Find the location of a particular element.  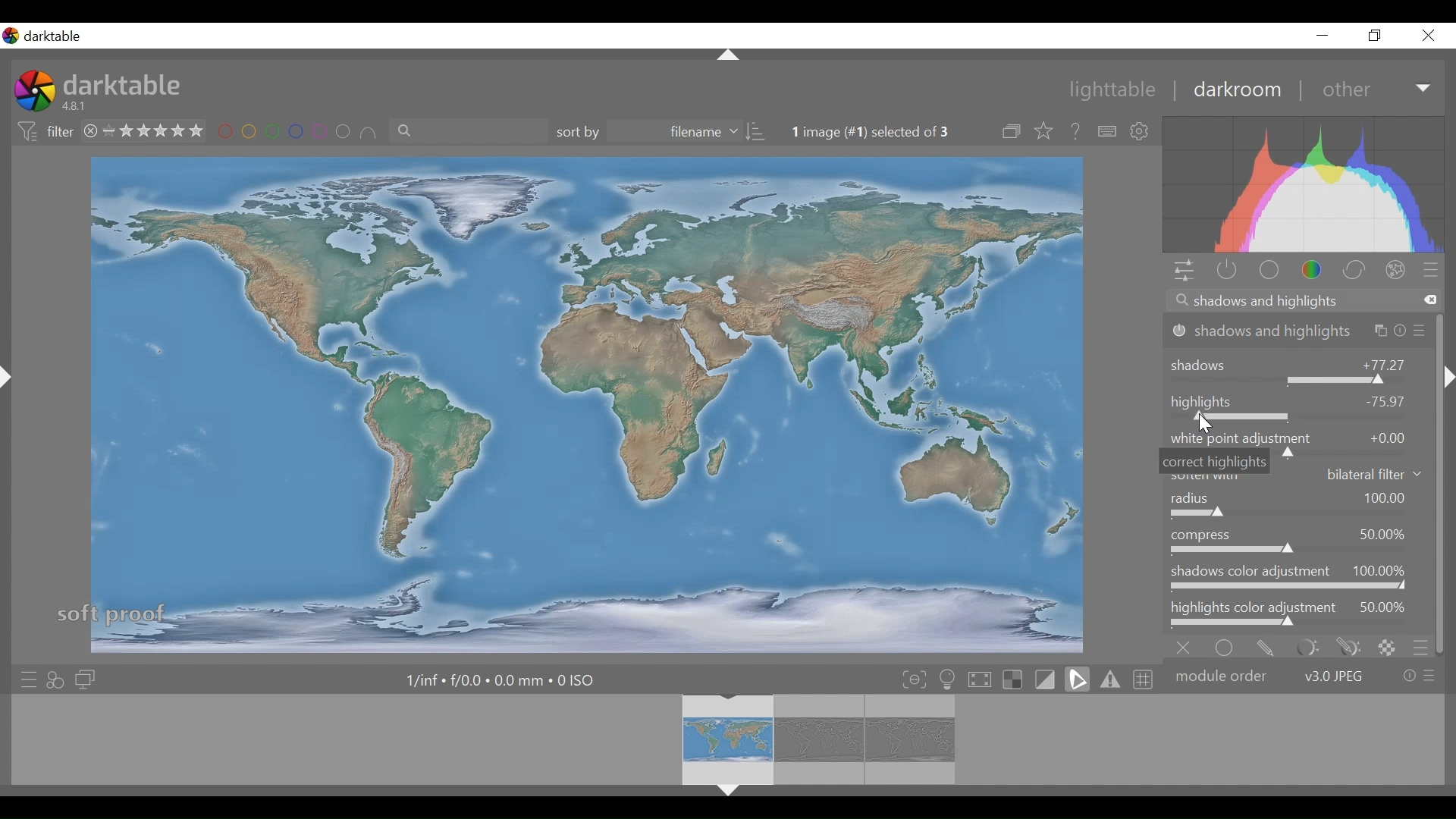

search modules by name or tag is located at coordinates (1300, 301).